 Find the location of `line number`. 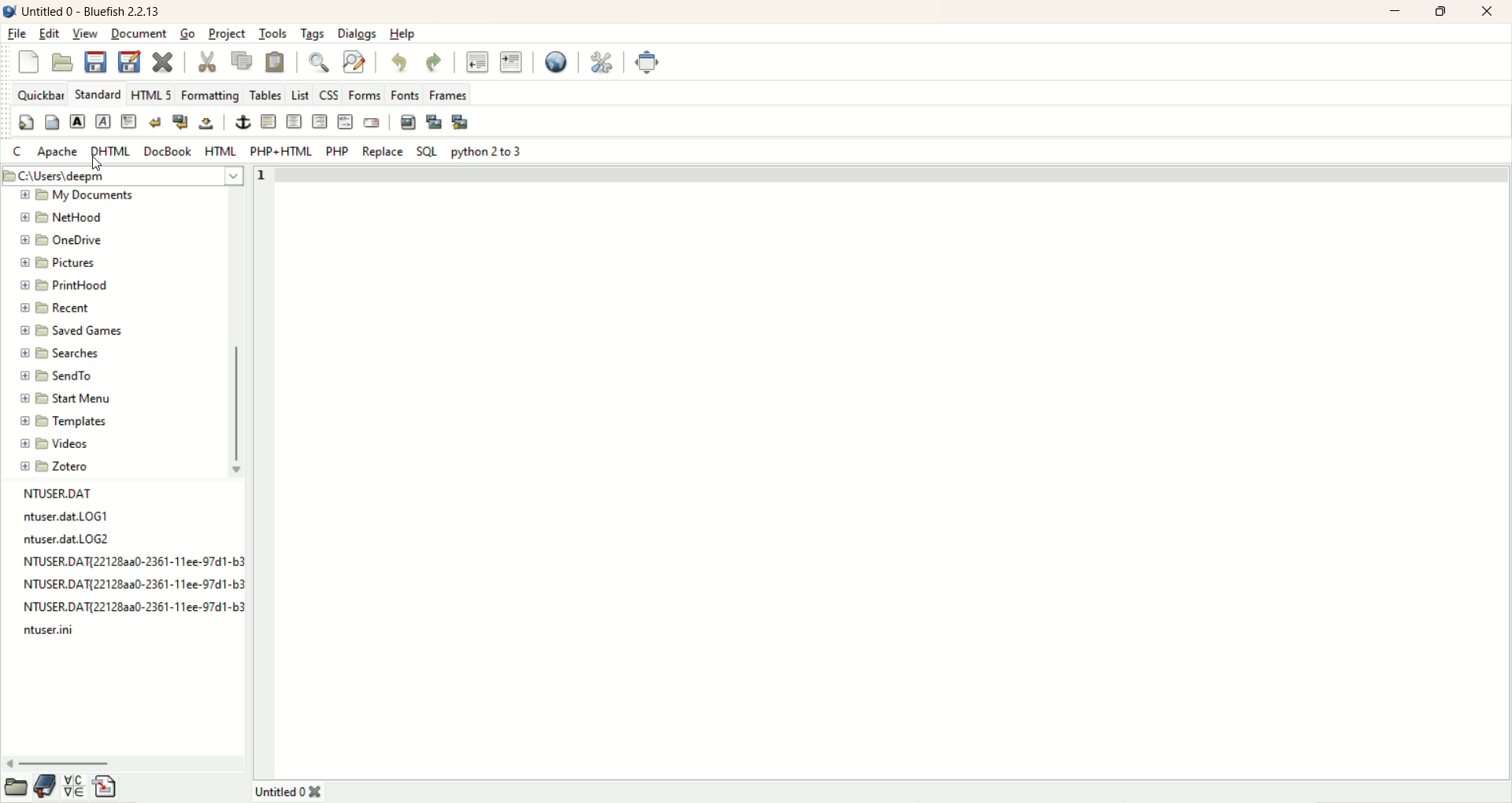

line number is located at coordinates (265, 175).